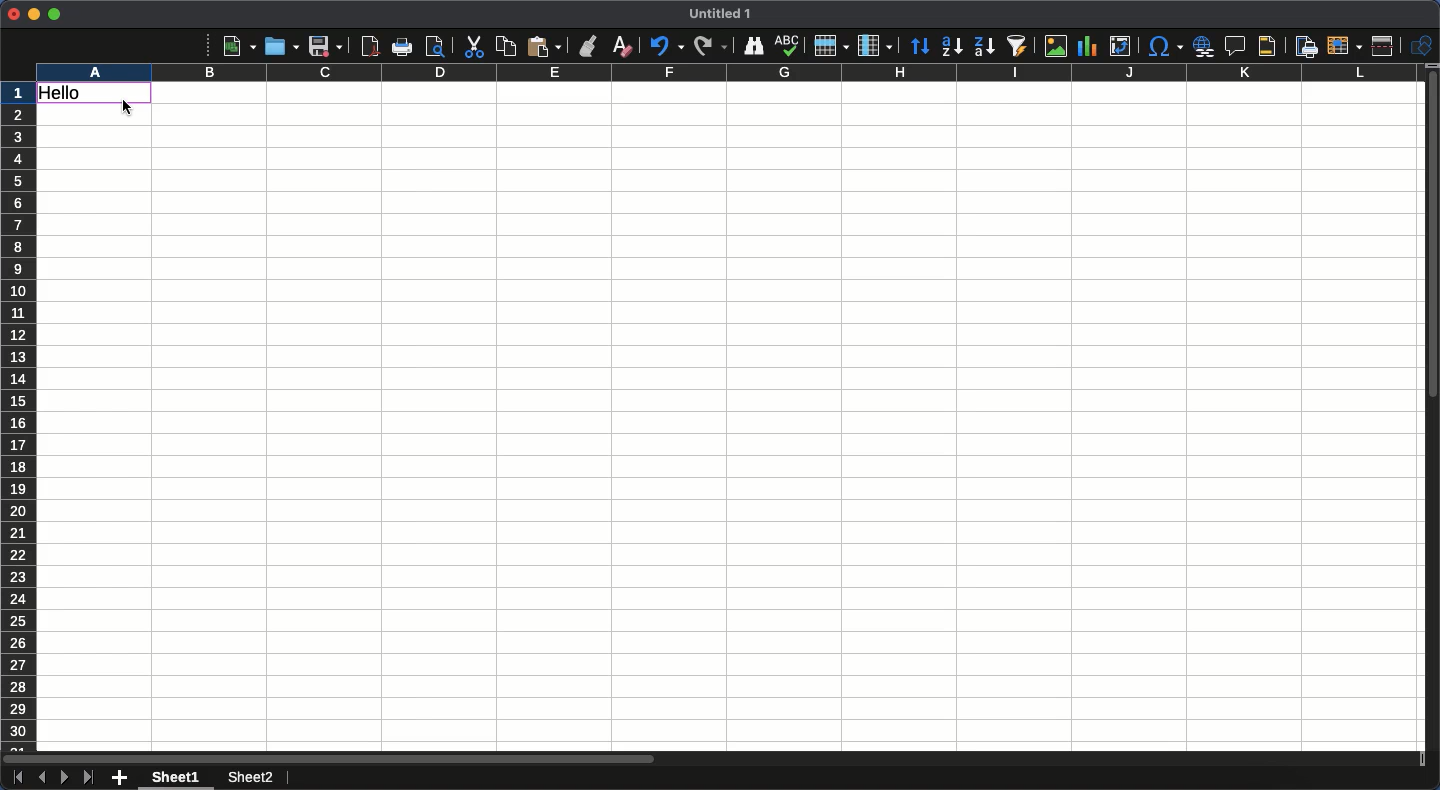  What do you see at coordinates (1305, 47) in the screenshot?
I see `Define print area` at bounding box center [1305, 47].